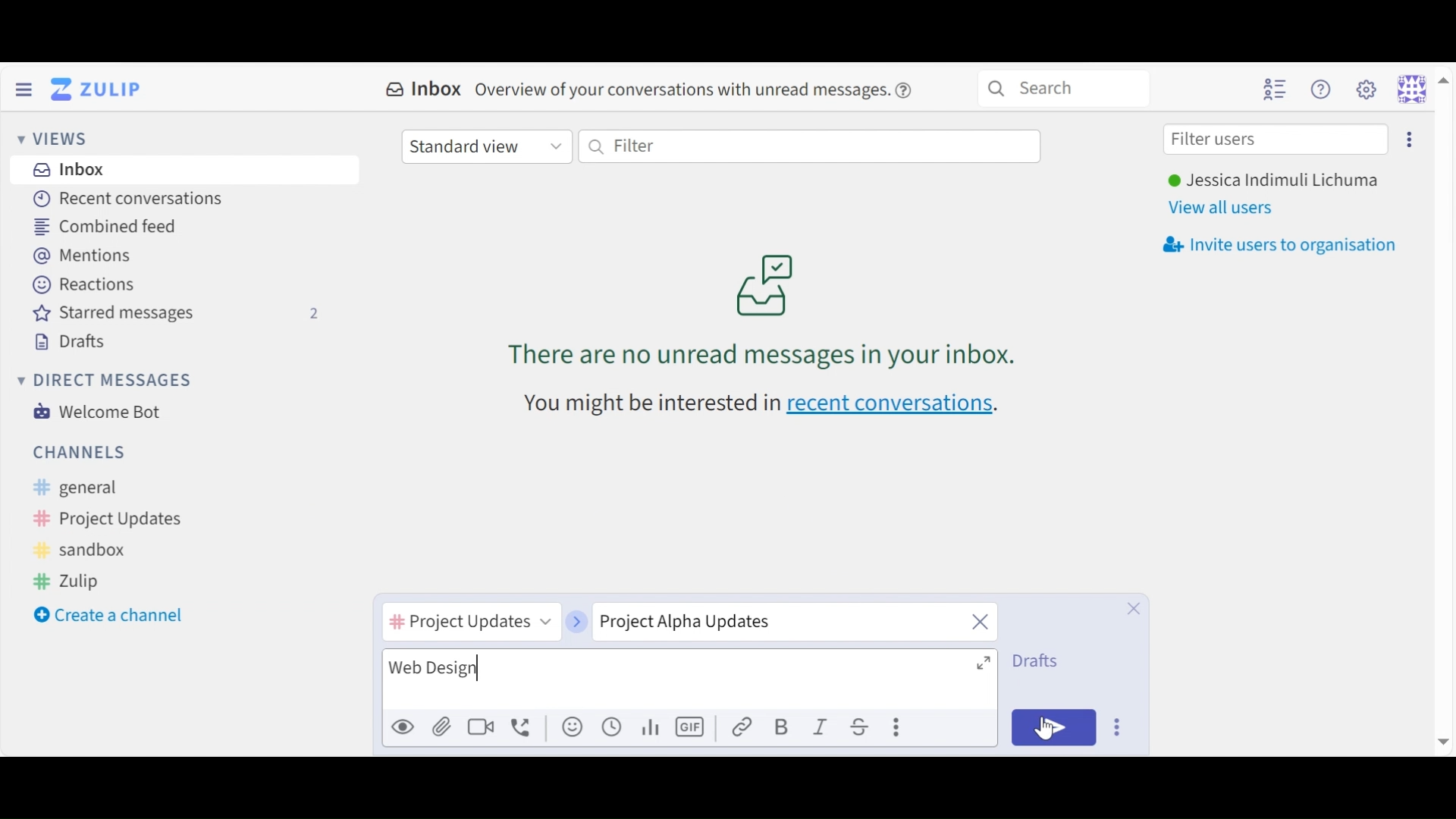  What do you see at coordinates (898, 726) in the screenshot?
I see `Compose actions` at bounding box center [898, 726].